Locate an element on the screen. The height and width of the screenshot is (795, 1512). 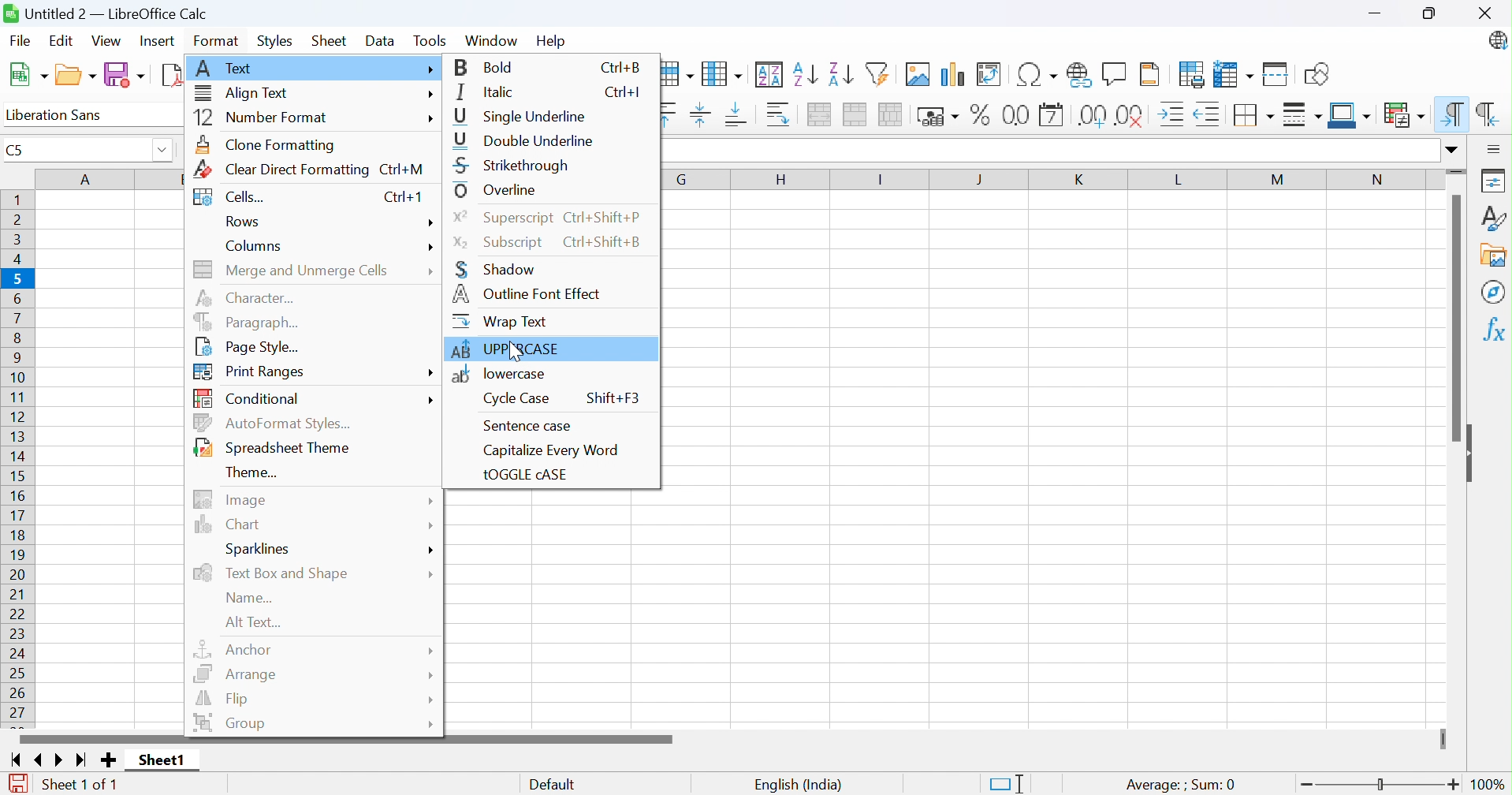
More is located at coordinates (429, 525).